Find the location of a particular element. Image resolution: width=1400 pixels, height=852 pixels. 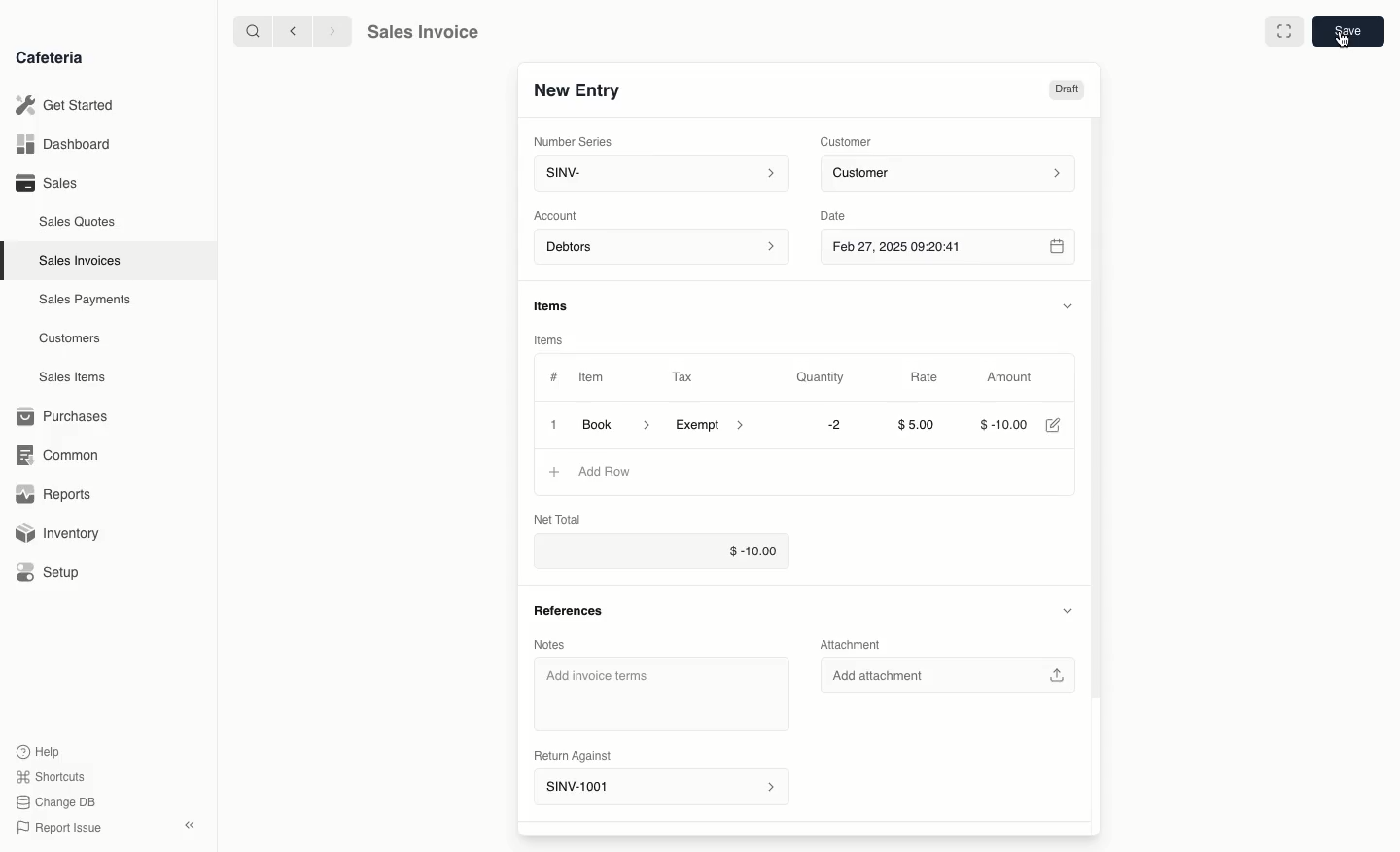

Help is located at coordinates (40, 749).